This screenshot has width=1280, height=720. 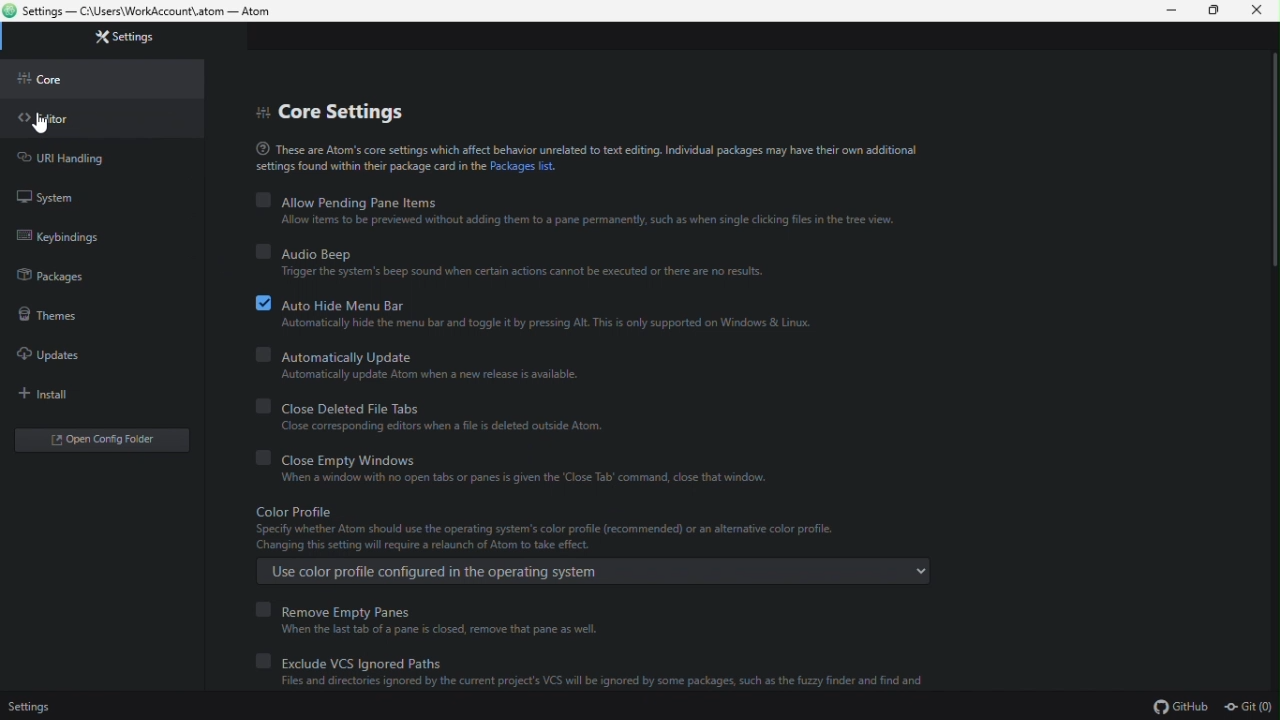 I want to click on Close deleted file tabs, so click(x=439, y=406).